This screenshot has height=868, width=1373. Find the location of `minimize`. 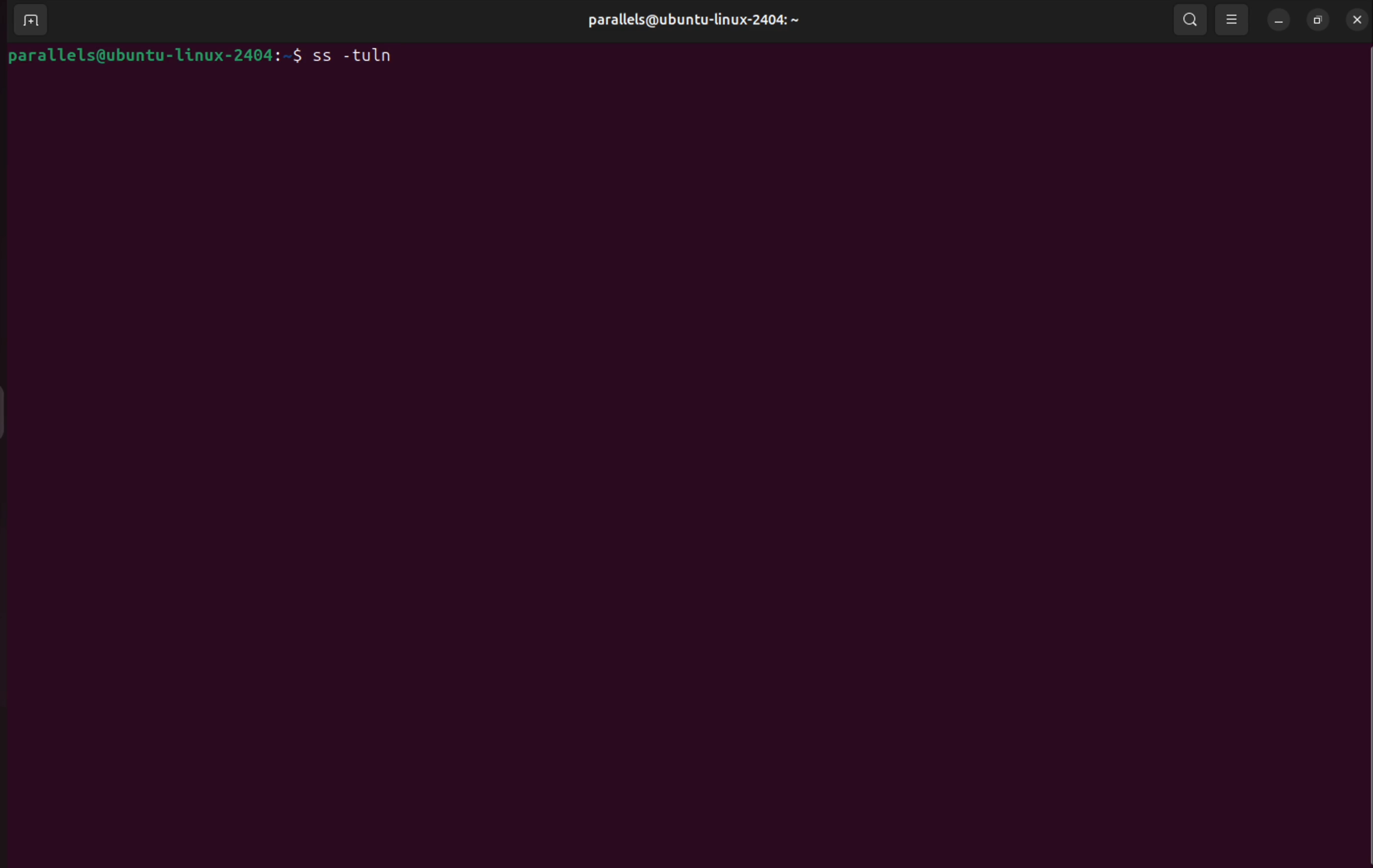

minimize is located at coordinates (1279, 20).